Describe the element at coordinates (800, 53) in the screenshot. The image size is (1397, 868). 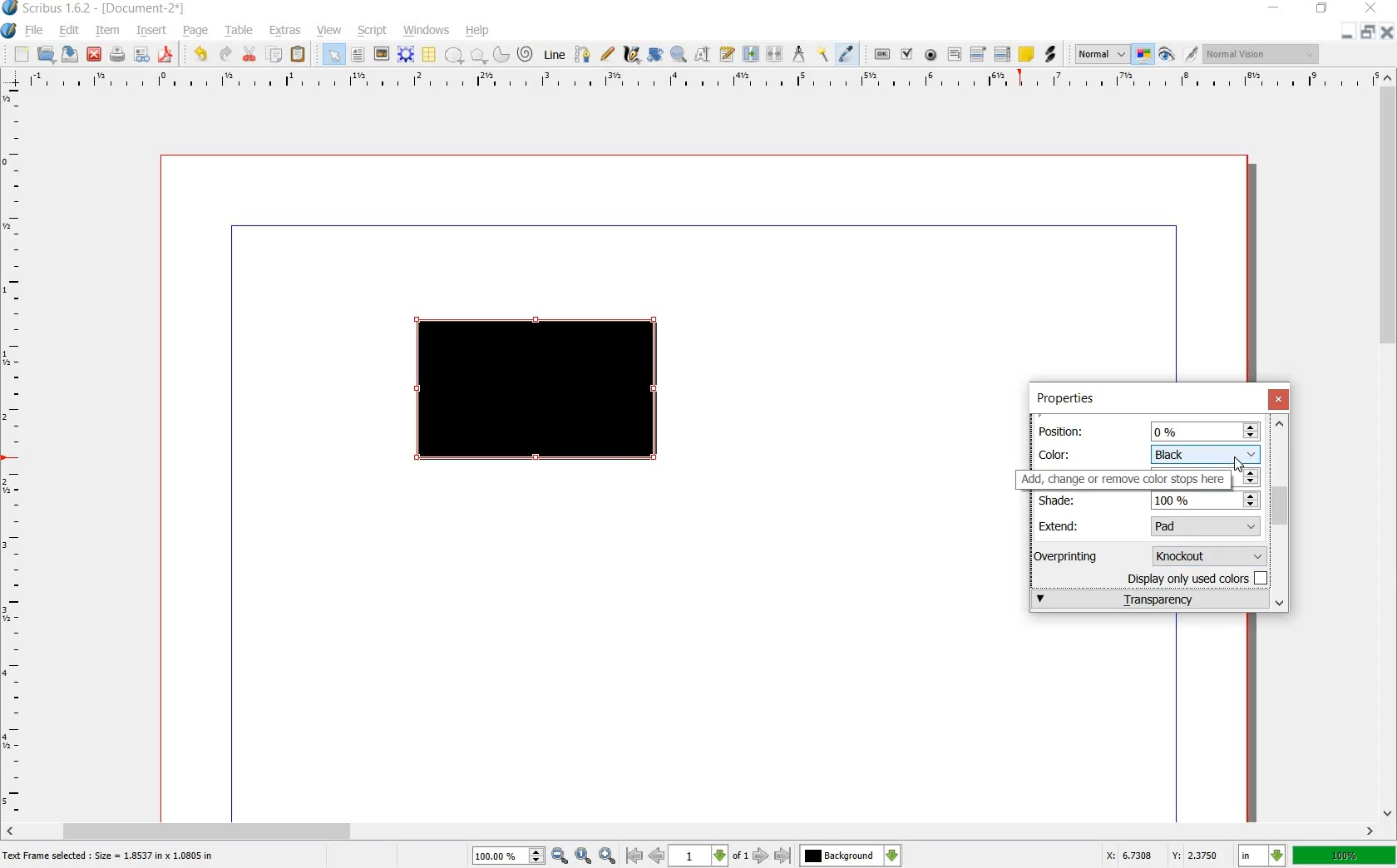
I see `measurement` at that location.